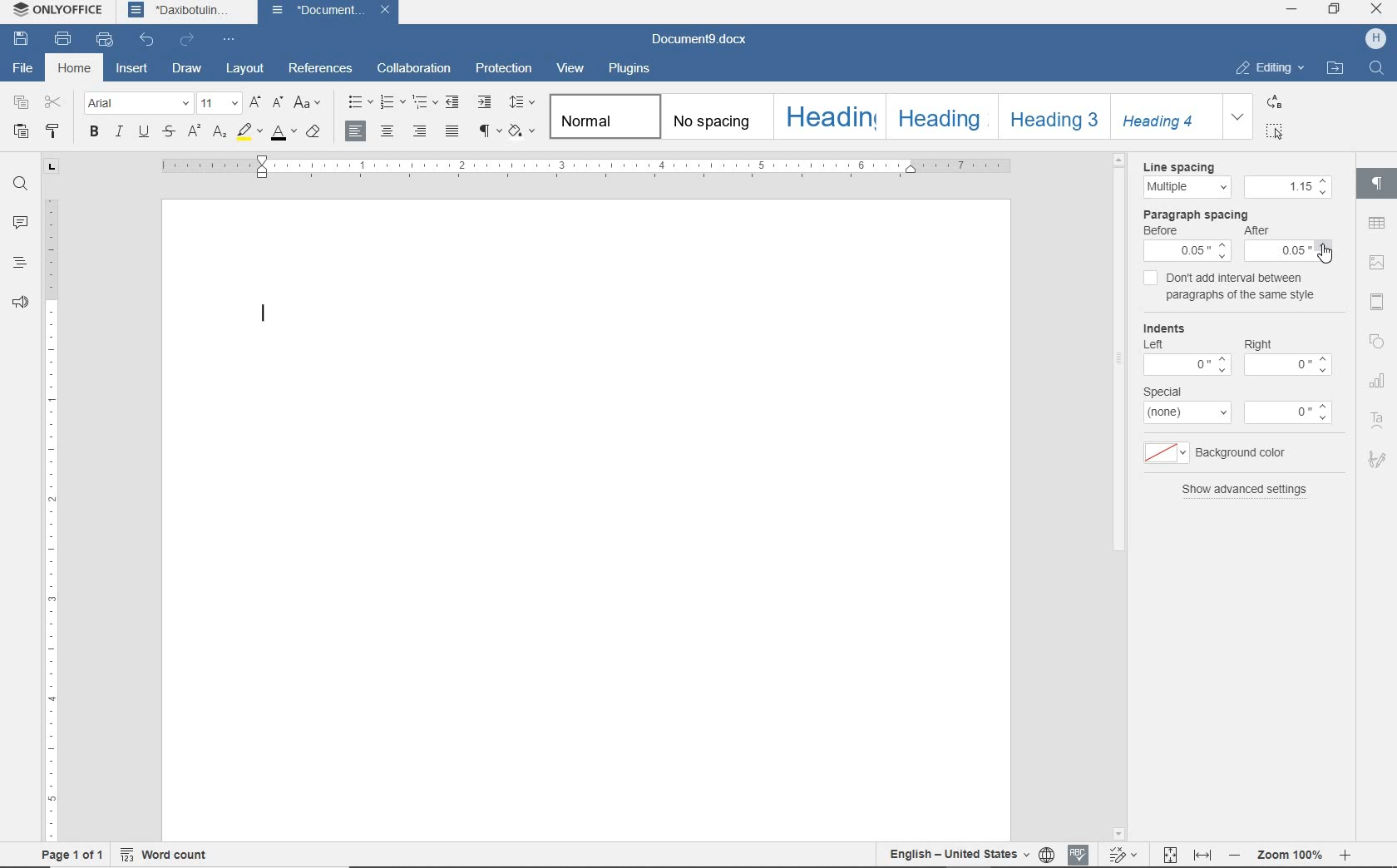  I want to click on fit to page, so click(1170, 855).